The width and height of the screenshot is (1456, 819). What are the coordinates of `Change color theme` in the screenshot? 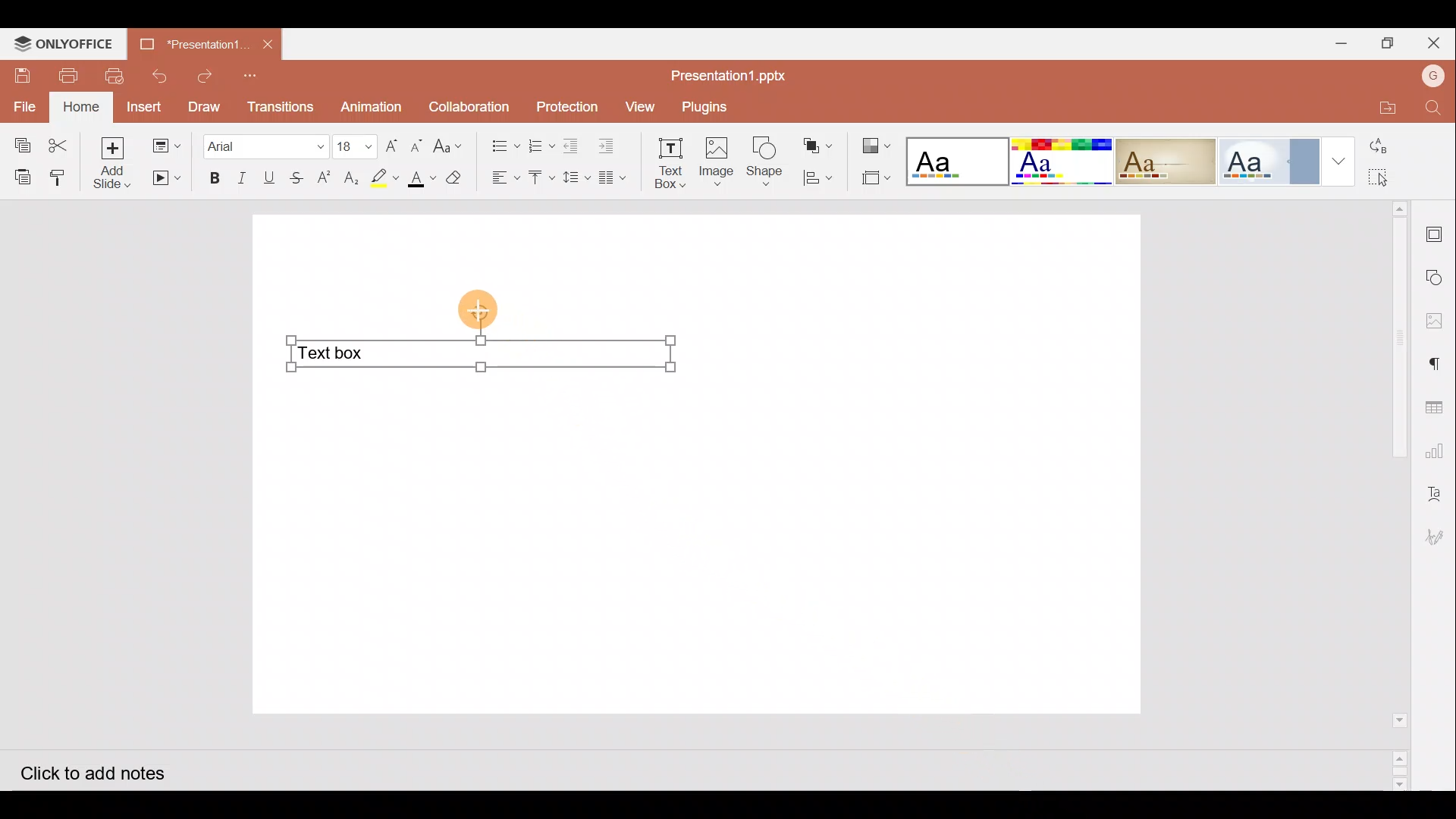 It's located at (875, 145).